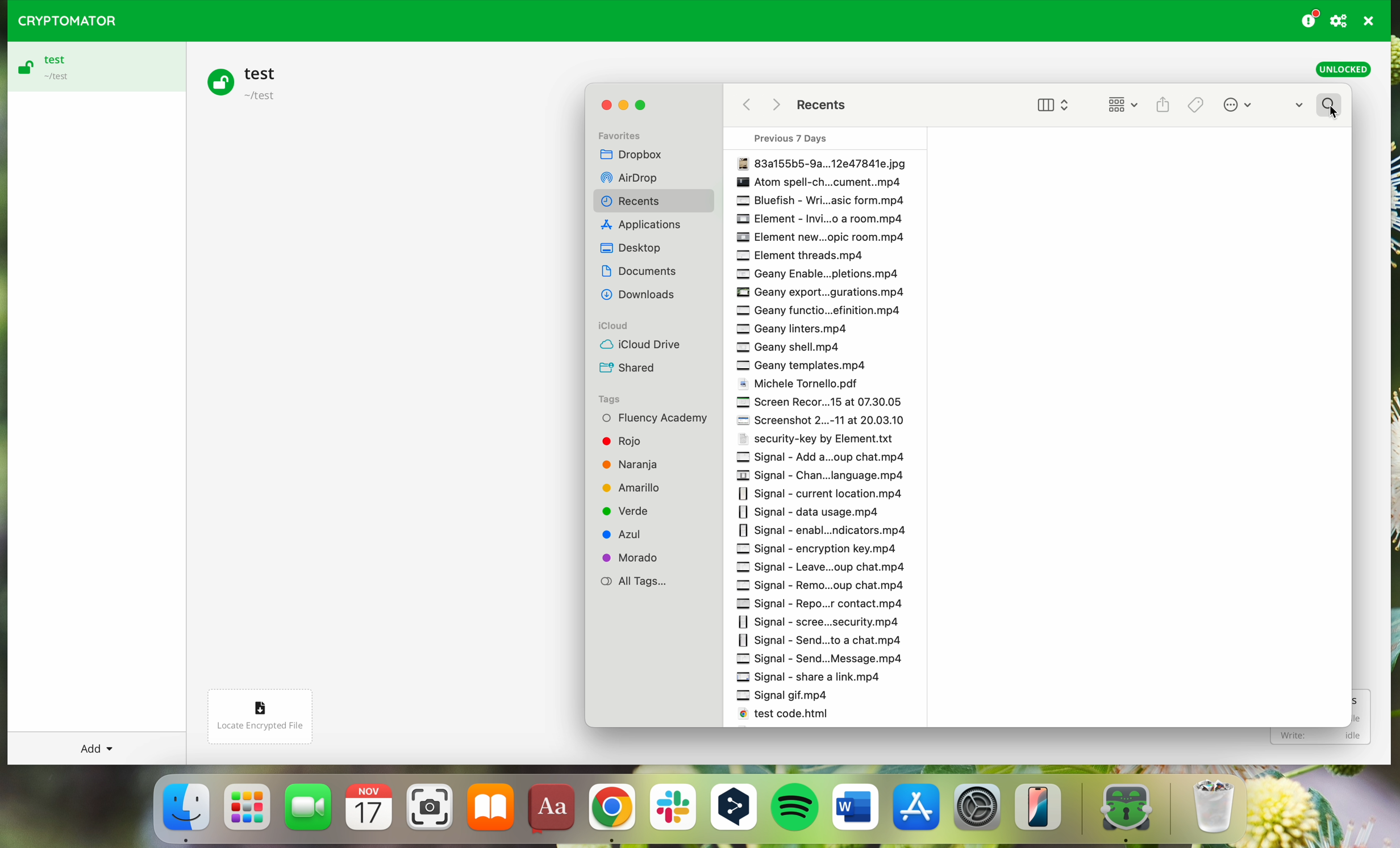  I want to click on launchpad, so click(248, 814).